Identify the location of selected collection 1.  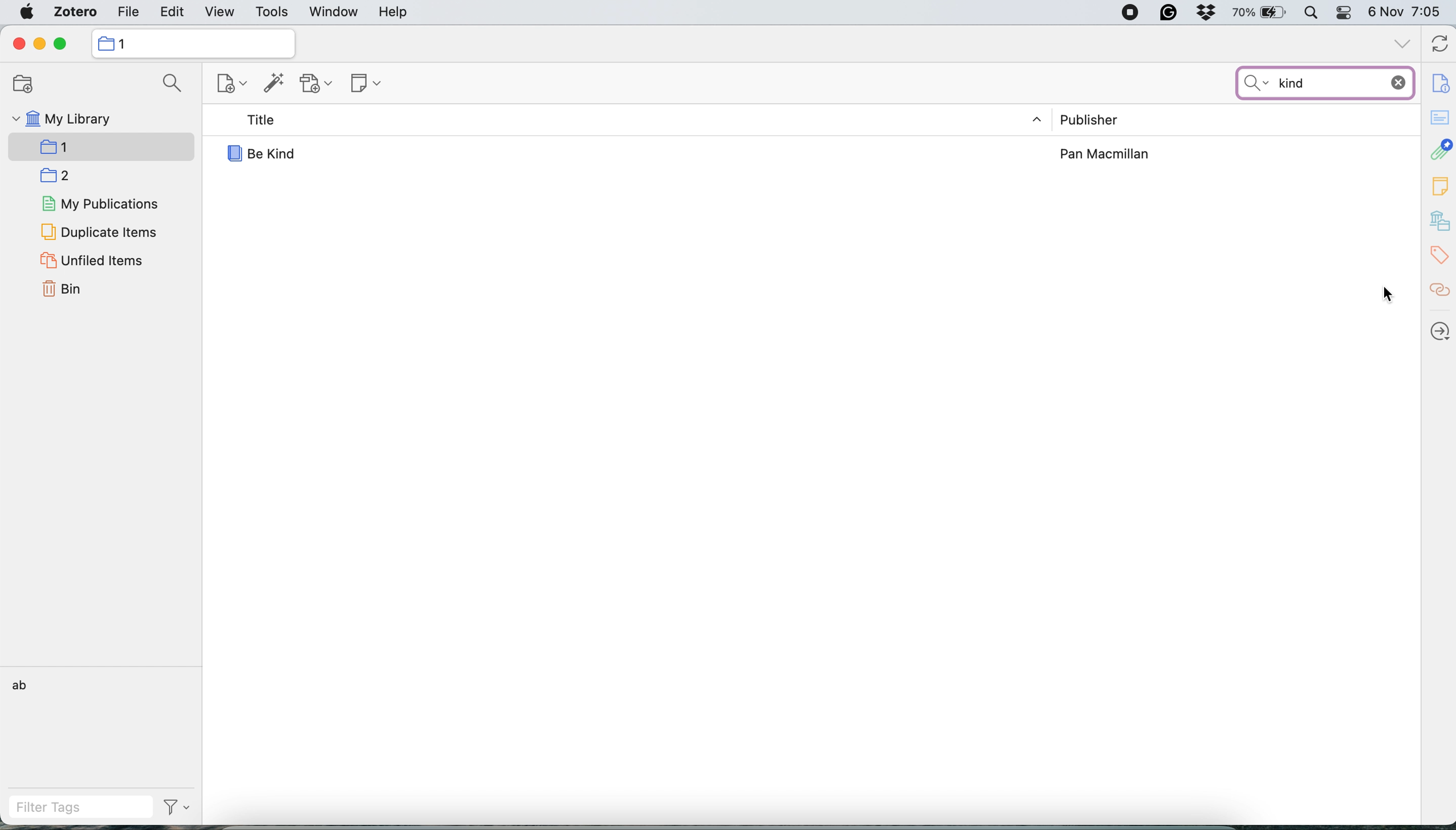
(101, 147).